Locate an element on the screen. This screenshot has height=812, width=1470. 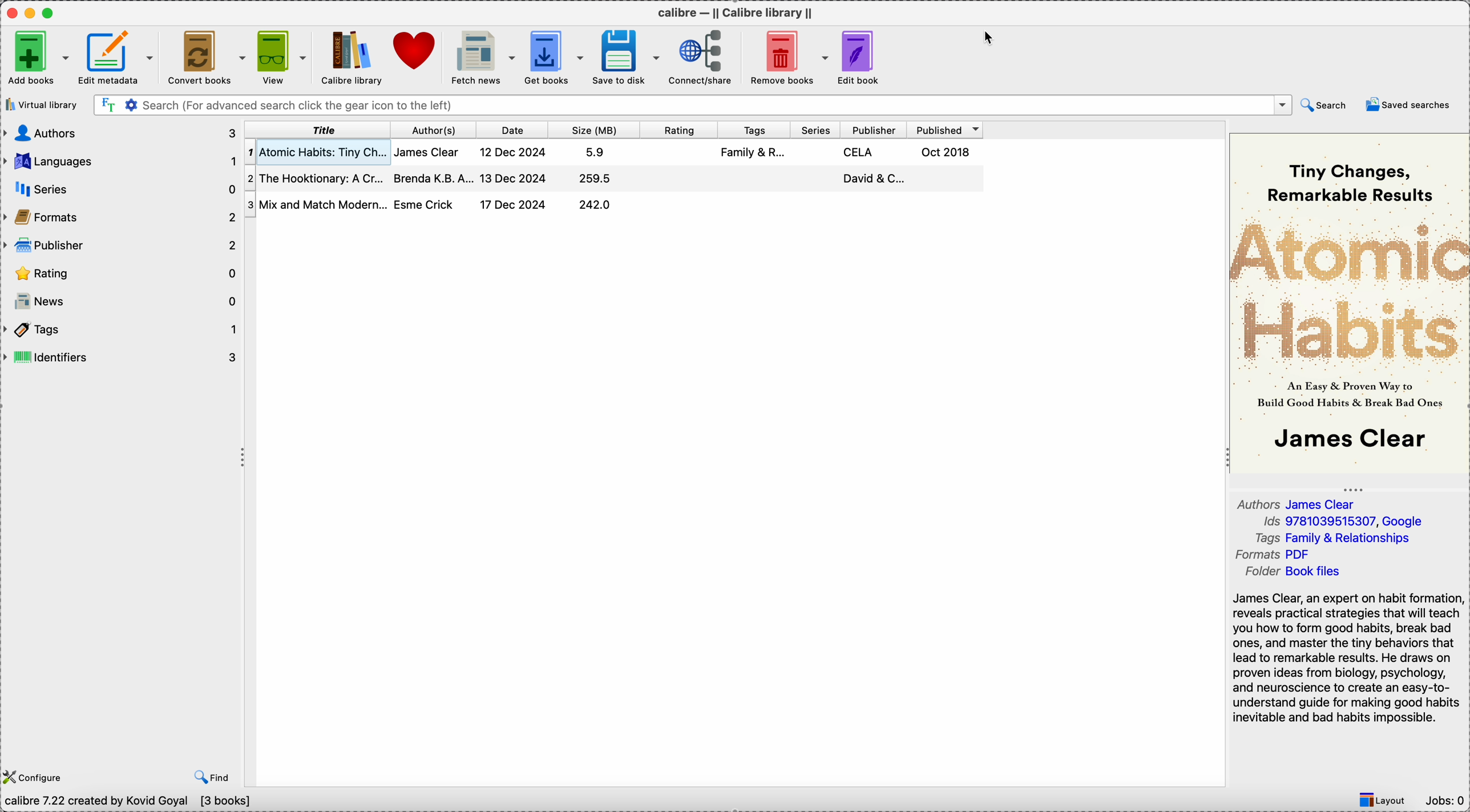
authors is located at coordinates (120, 134).